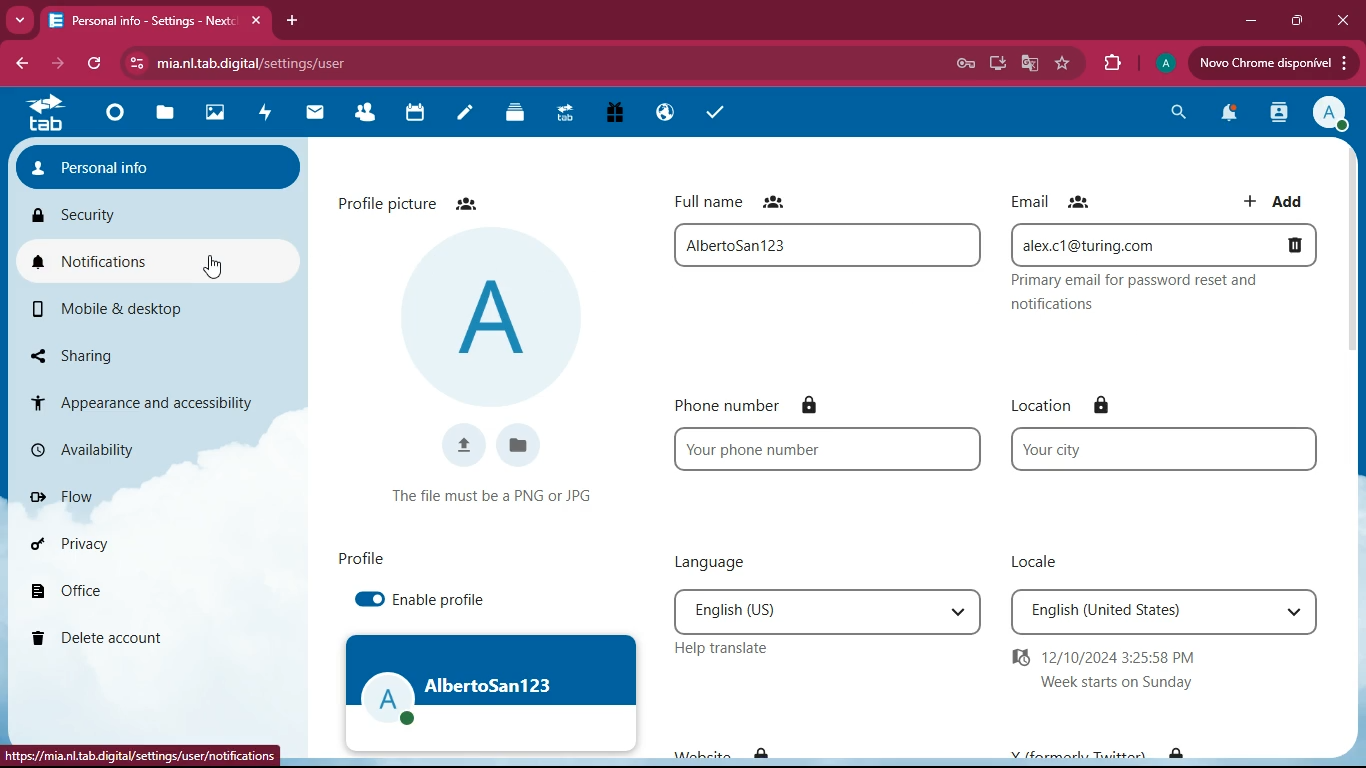 The height and width of the screenshot is (768, 1366). Describe the element at coordinates (1063, 64) in the screenshot. I see `favourite` at that location.